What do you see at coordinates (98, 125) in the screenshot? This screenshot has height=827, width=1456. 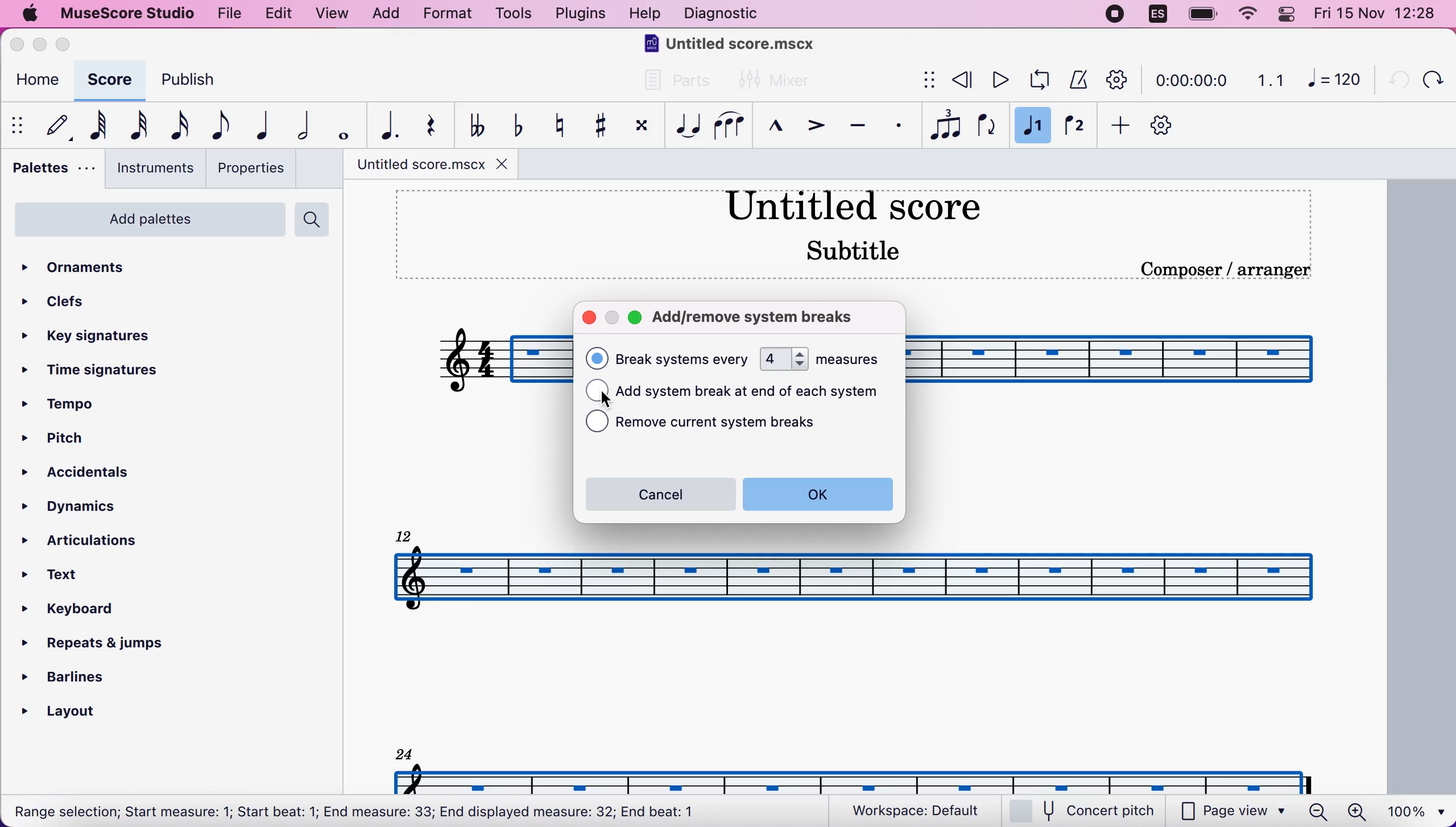 I see `64th note` at bounding box center [98, 125].